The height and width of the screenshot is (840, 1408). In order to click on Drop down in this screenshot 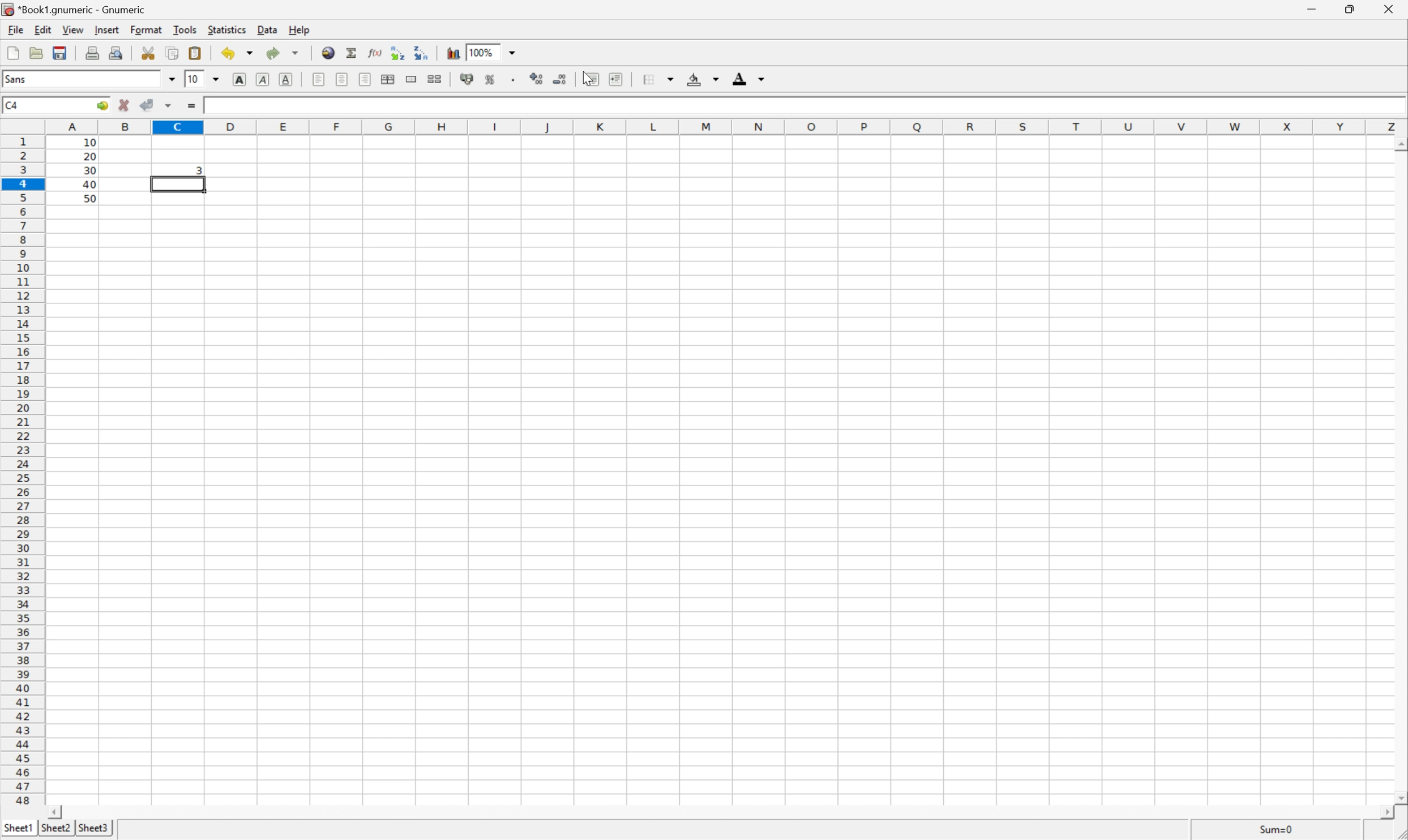, I will do `click(216, 80)`.